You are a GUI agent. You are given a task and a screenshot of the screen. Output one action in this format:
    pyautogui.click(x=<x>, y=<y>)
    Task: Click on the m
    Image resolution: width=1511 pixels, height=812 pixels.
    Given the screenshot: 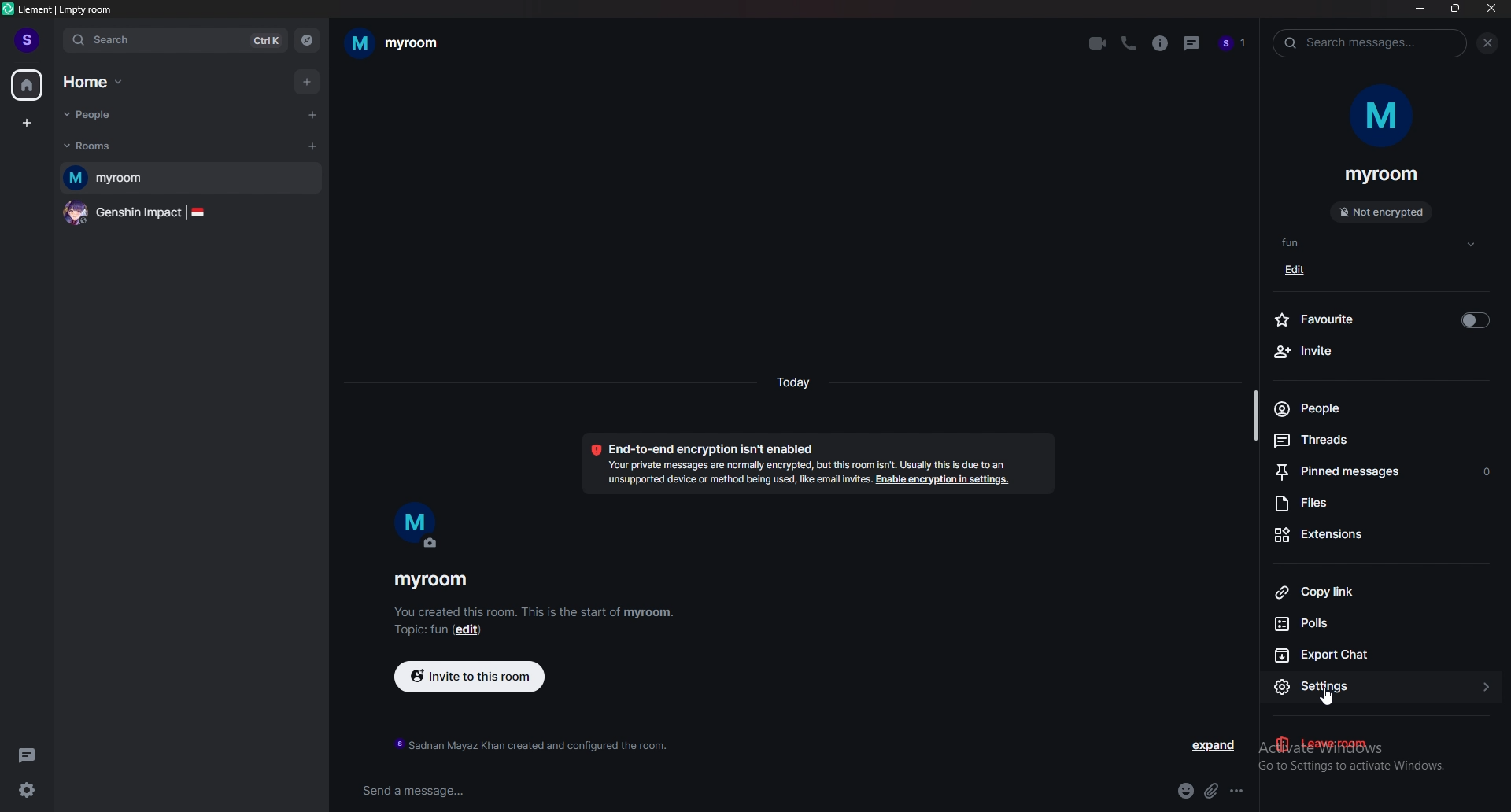 What is the action you would take?
    pyautogui.click(x=416, y=527)
    